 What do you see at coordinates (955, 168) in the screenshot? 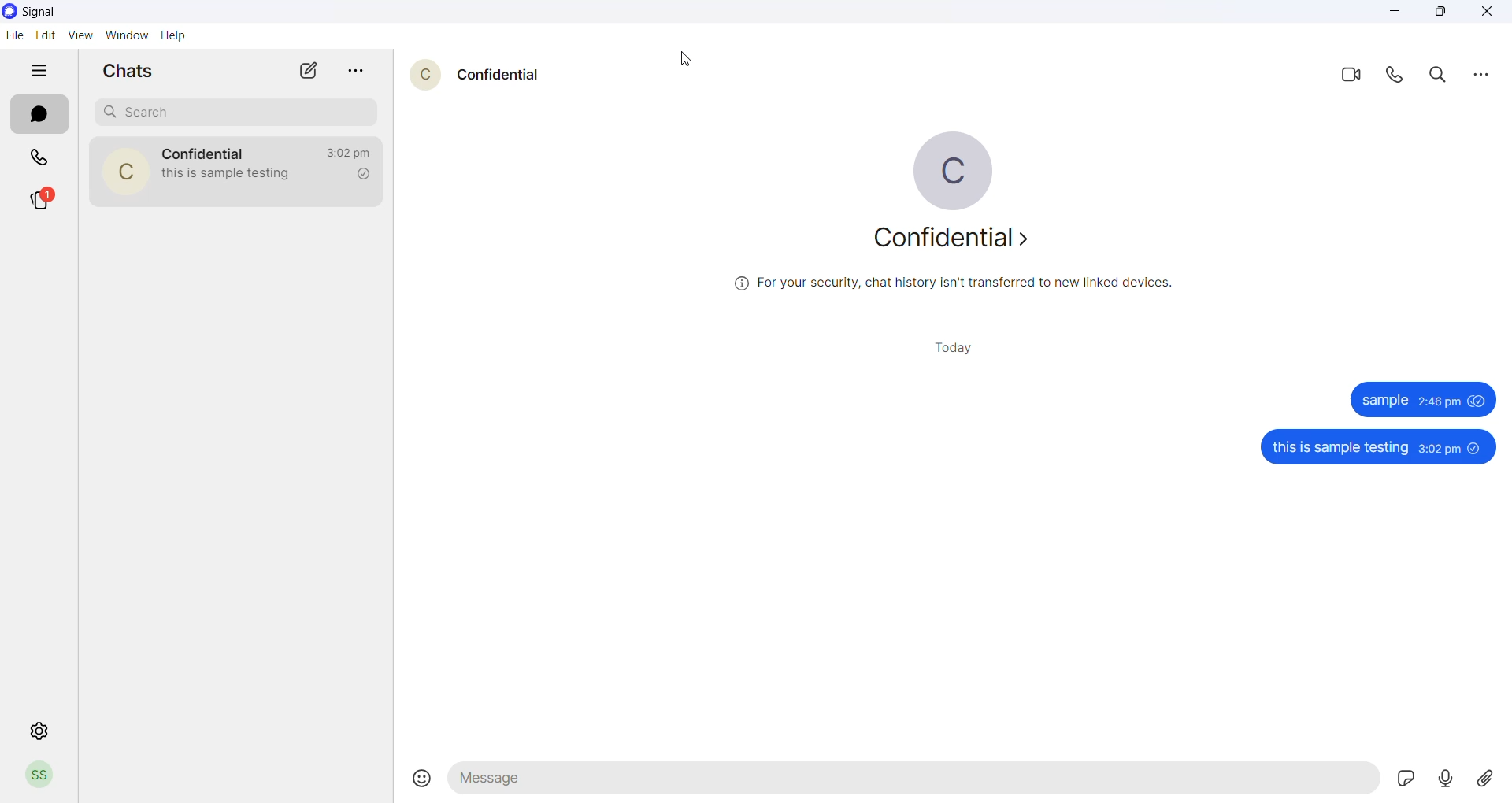
I see `profile picture` at bounding box center [955, 168].